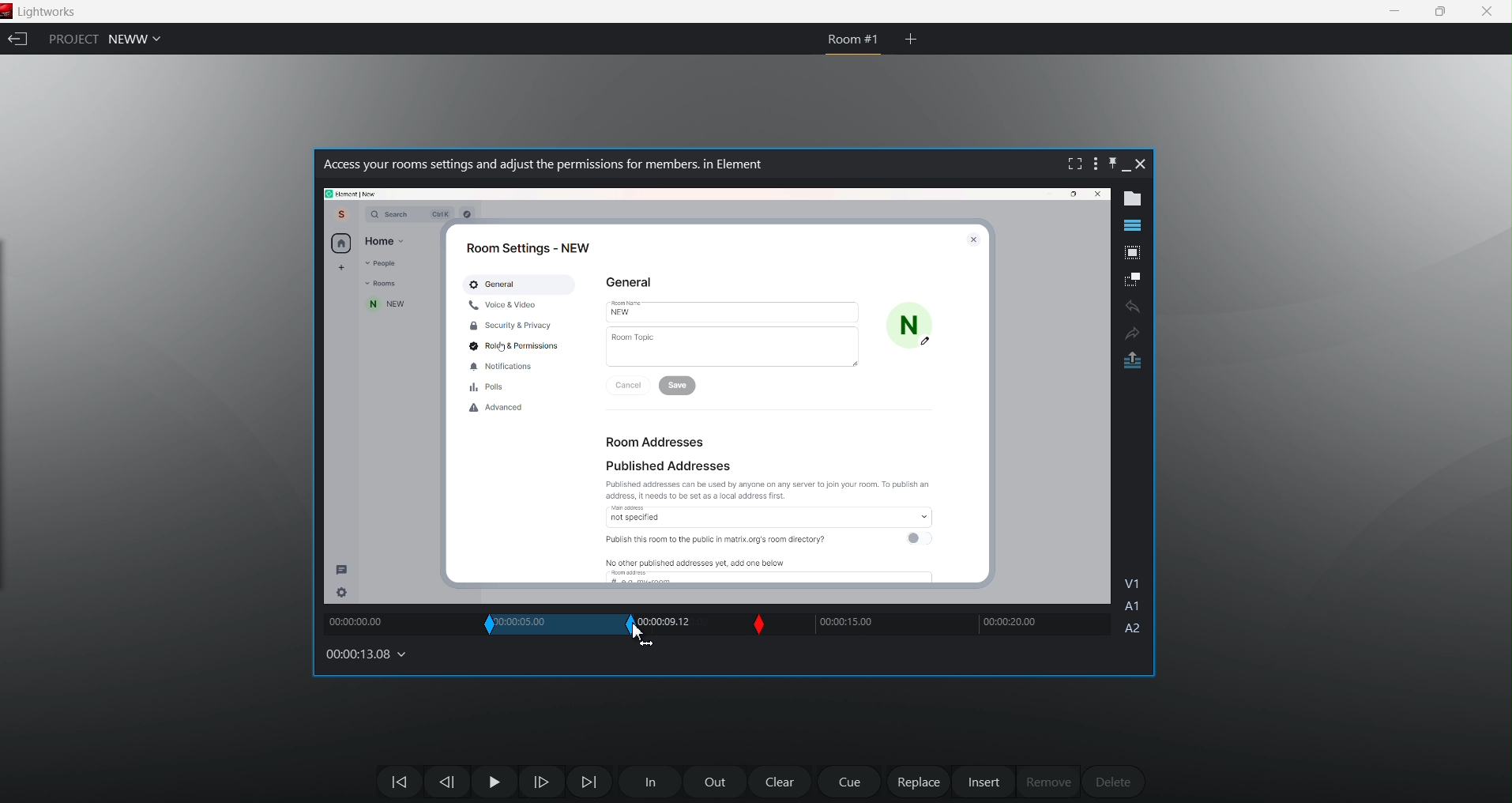 Image resolution: width=1512 pixels, height=803 pixels. I want to click on maximize, so click(1439, 11).